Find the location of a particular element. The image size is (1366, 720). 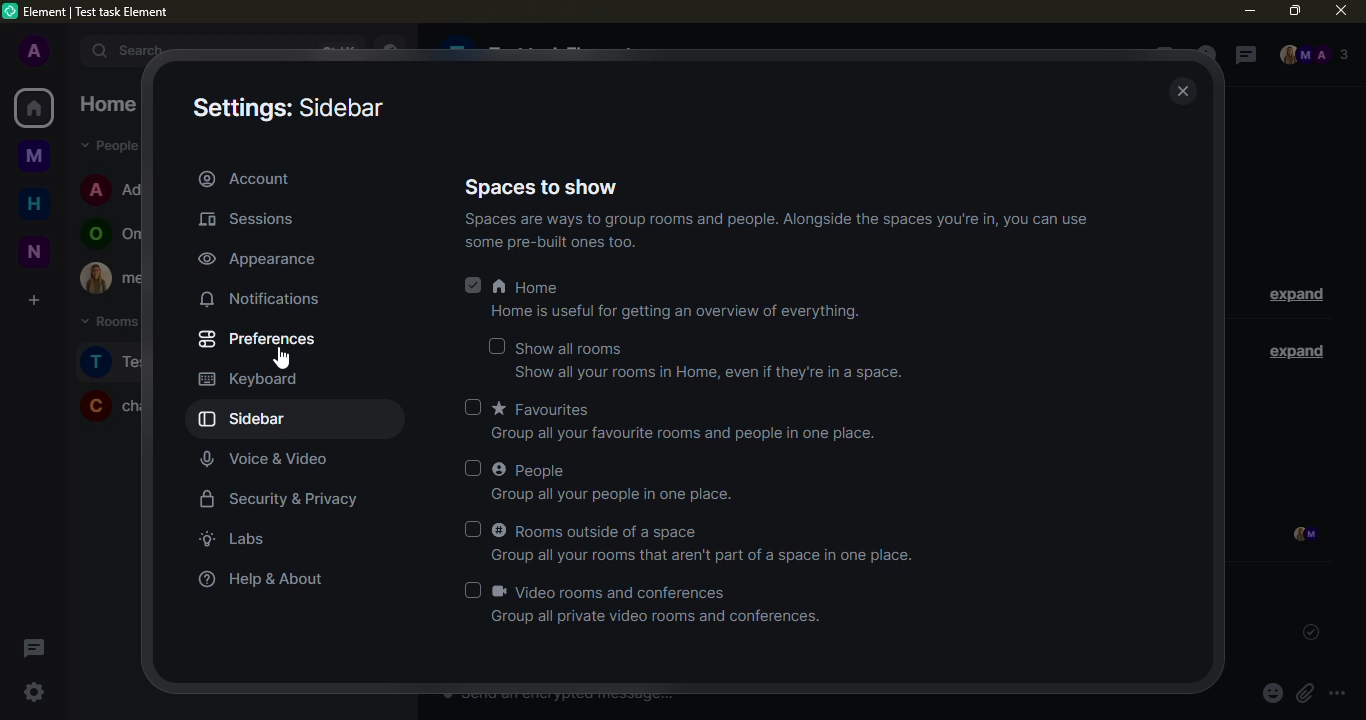

sessions is located at coordinates (253, 220).